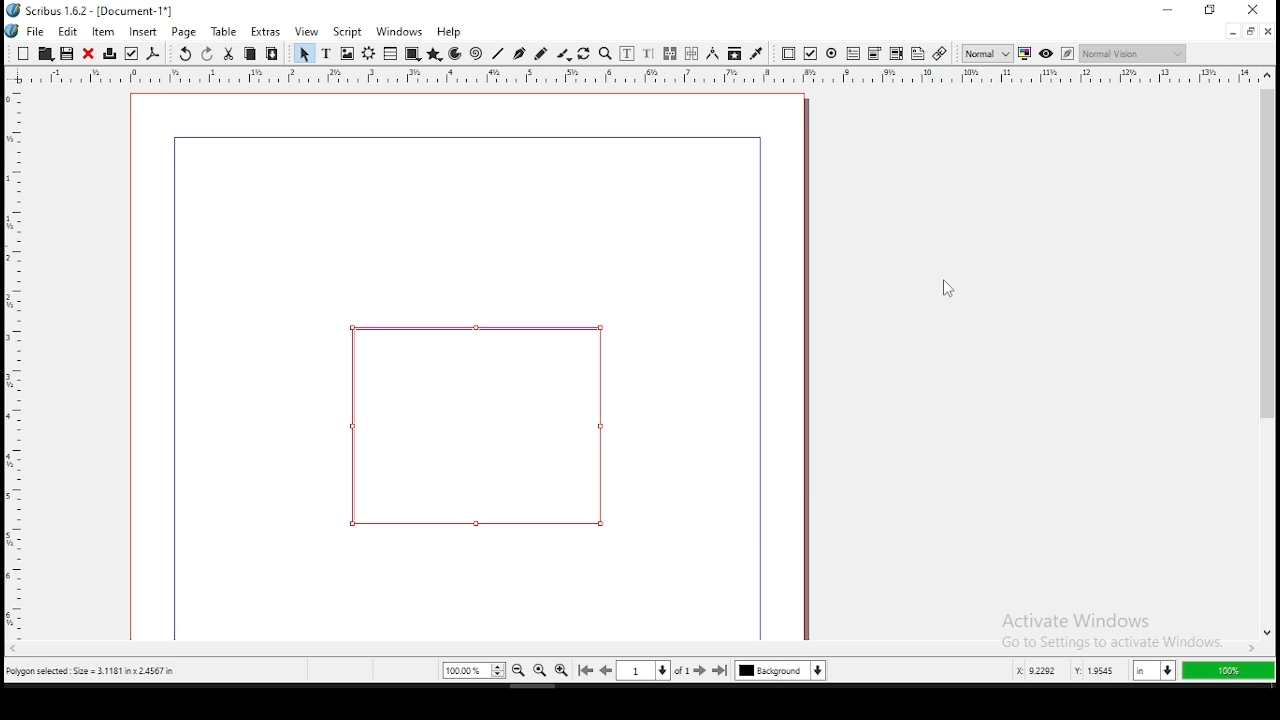 This screenshot has width=1280, height=720. Describe the element at coordinates (605, 54) in the screenshot. I see `zoom in or out` at that location.